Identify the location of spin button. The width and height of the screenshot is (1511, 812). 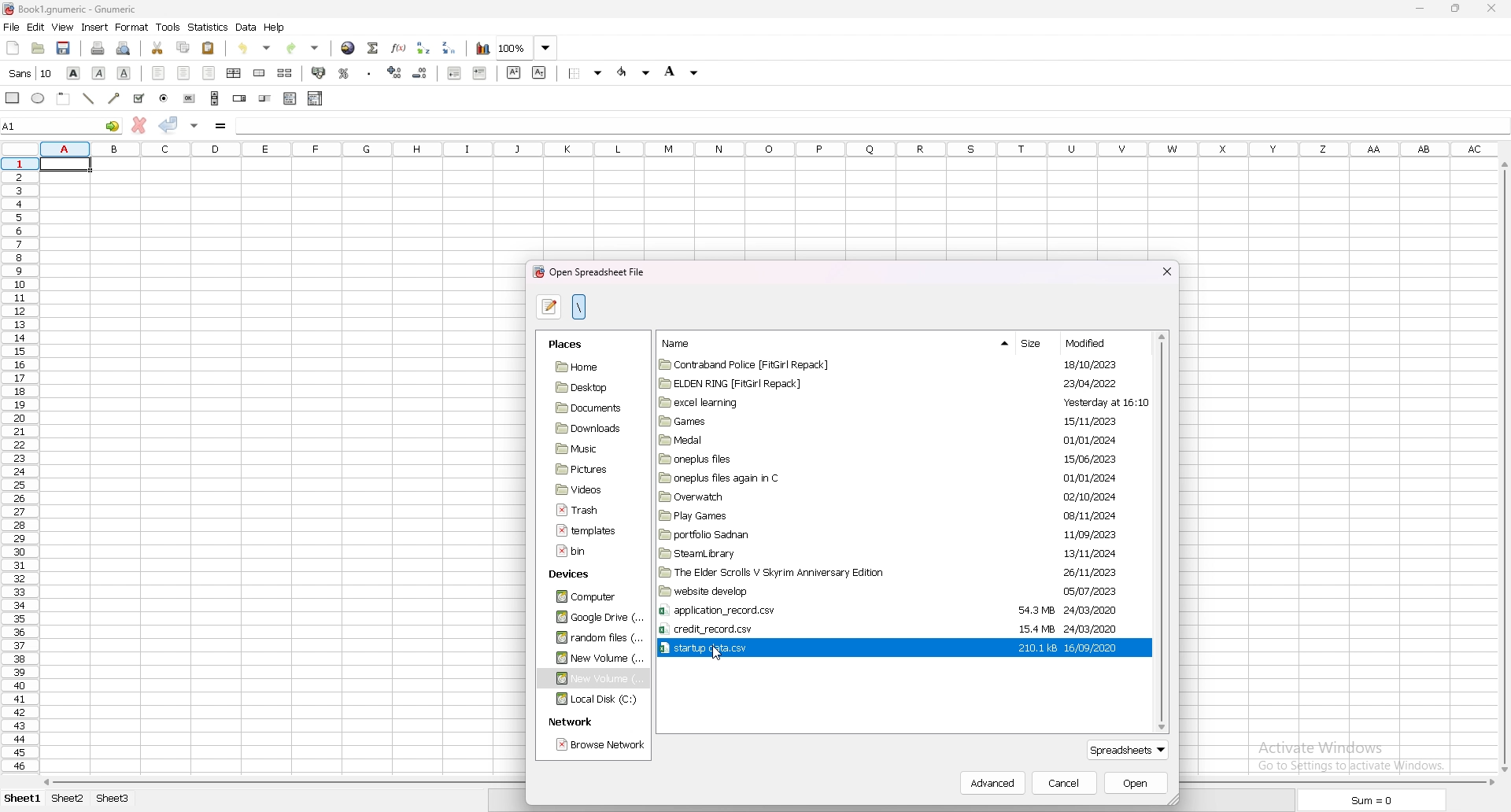
(241, 98).